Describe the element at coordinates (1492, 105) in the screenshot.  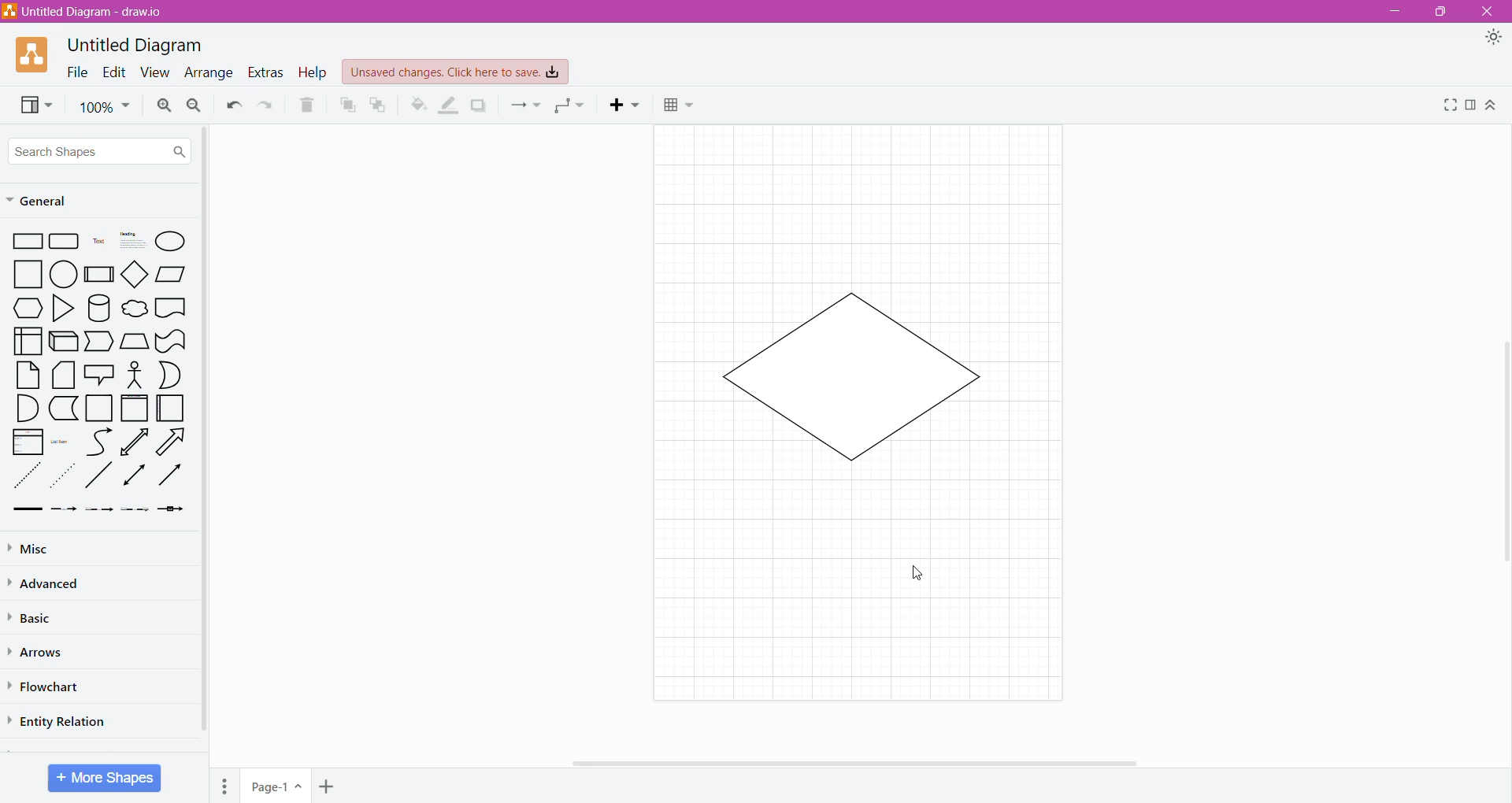
I see `Expand/Collapse` at that location.